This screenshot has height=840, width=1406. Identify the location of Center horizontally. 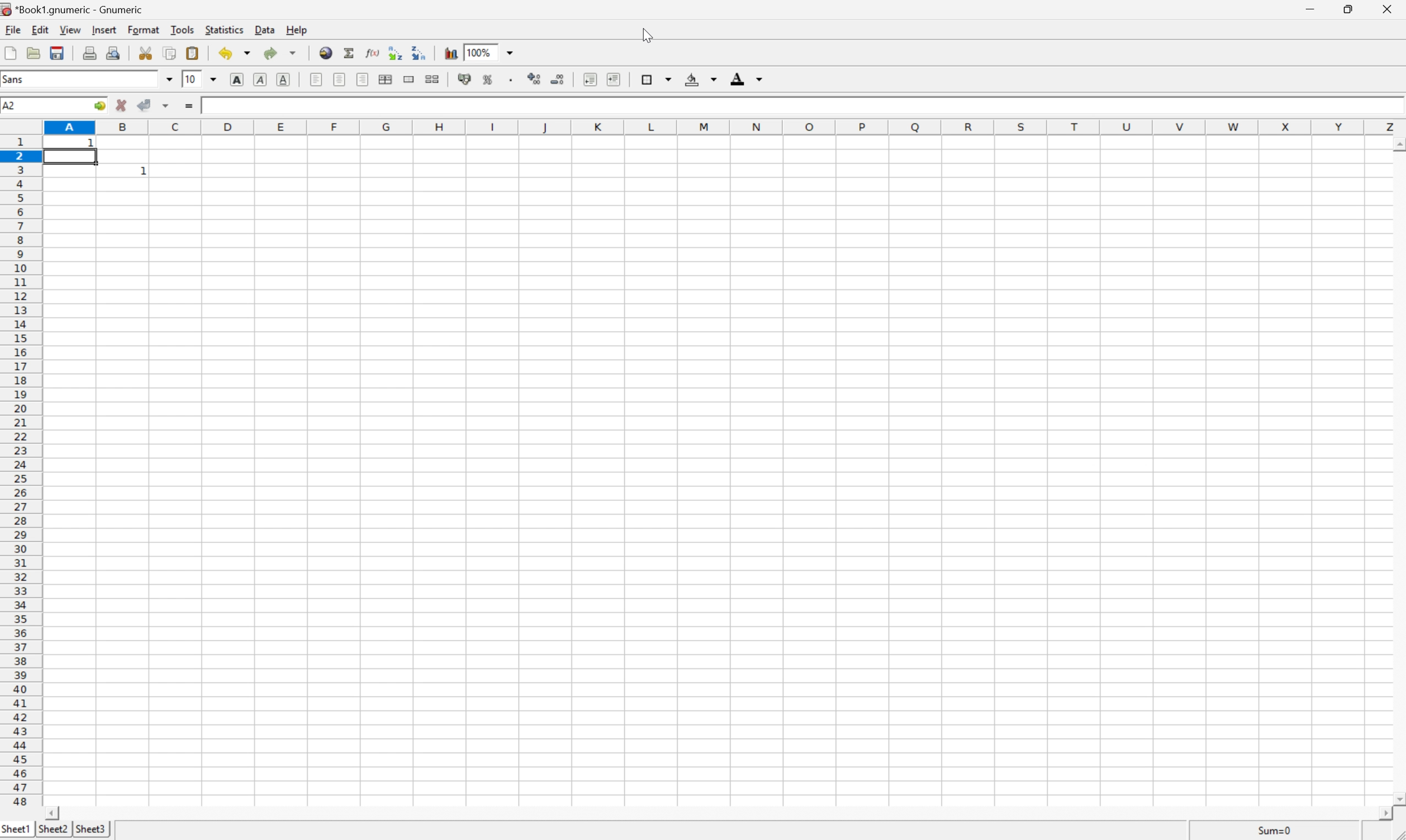
(338, 79).